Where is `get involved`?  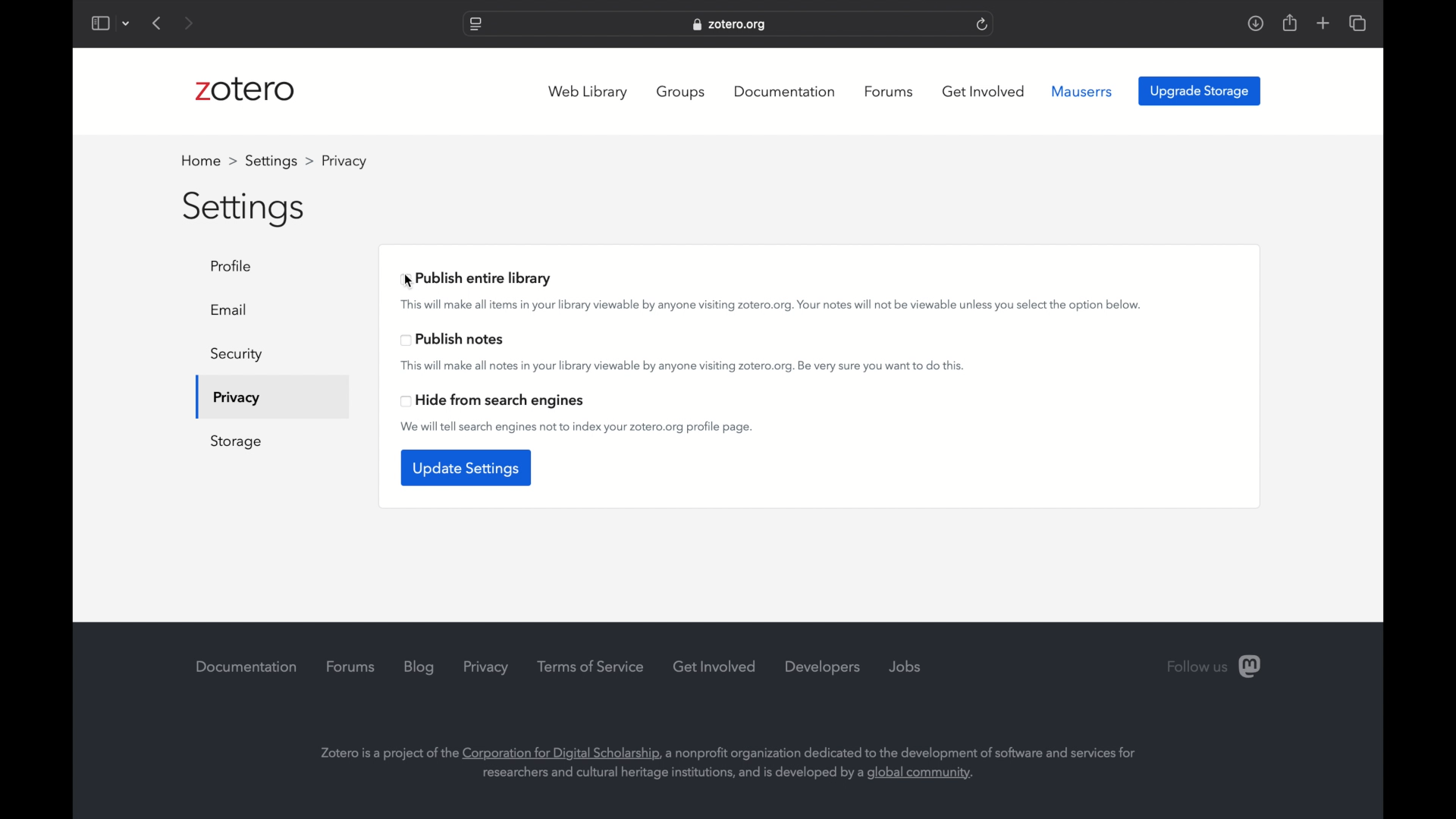
get involved is located at coordinates (984, 92).